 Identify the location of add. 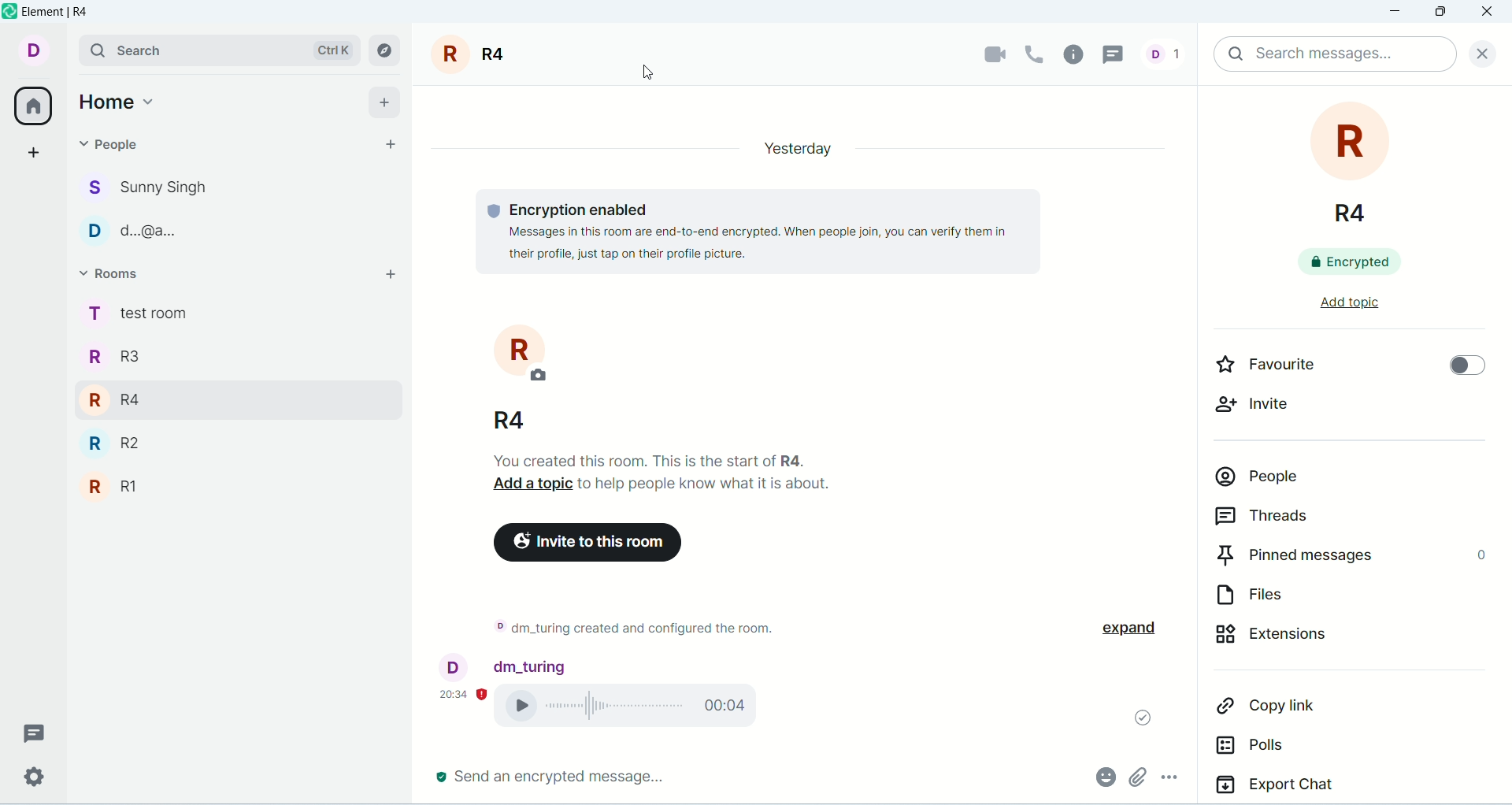
(387, 100).